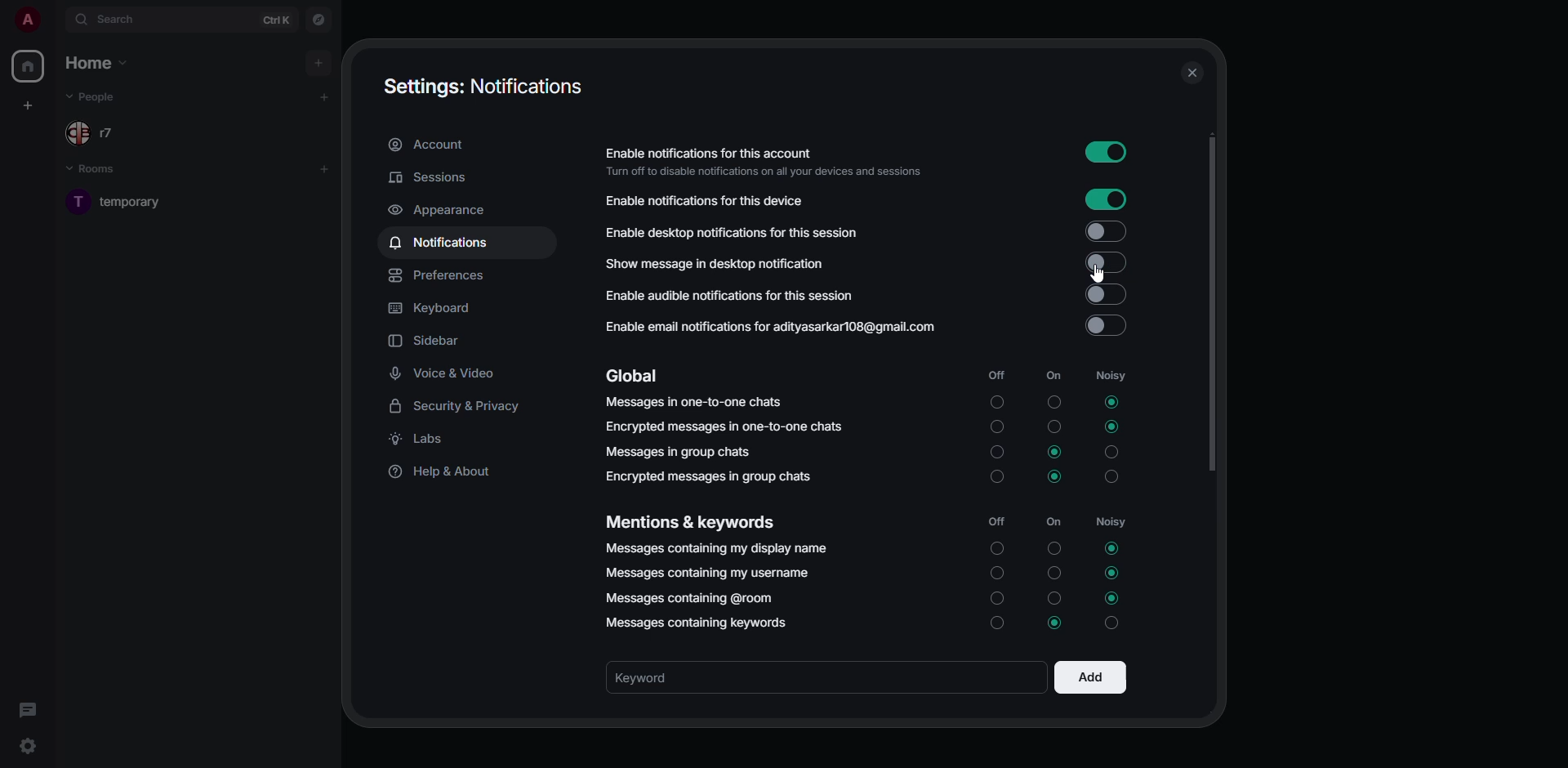 Image resolution: width=1568 pixels, height=768 pixels. Describe the element at coordinates (707, 476) in the screenshot. I see `encrypted messages in group chat` at that location.